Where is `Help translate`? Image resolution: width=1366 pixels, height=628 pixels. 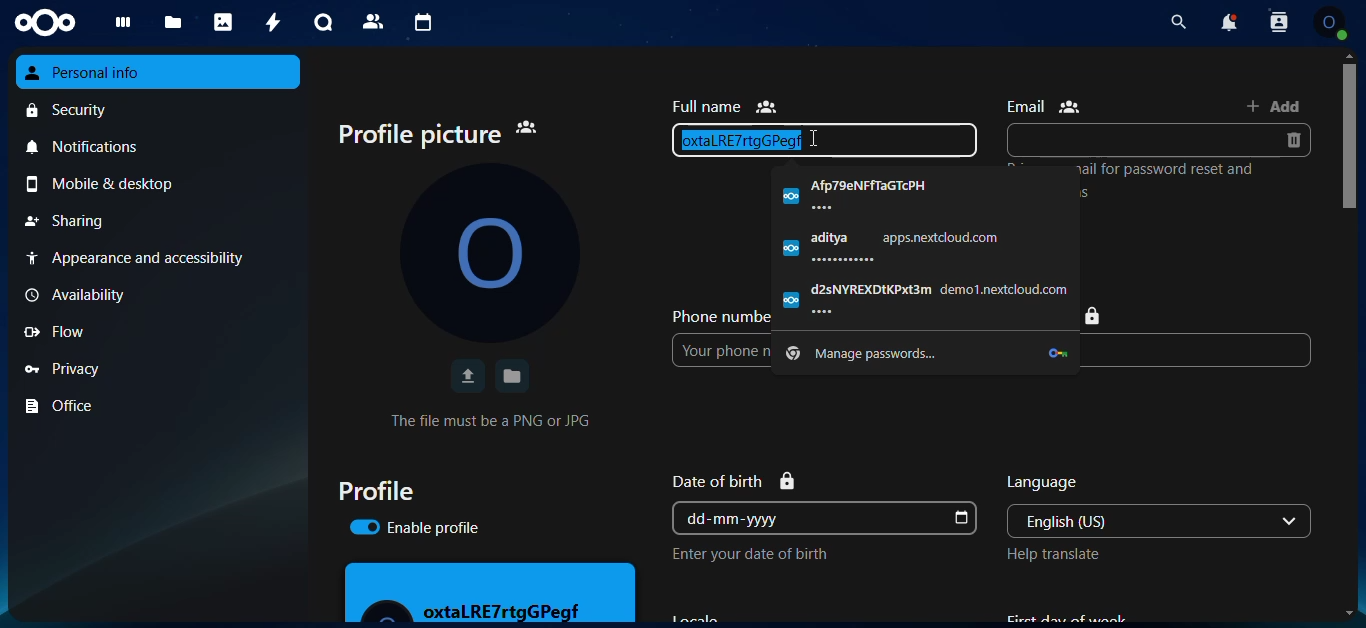 Help translate is located at coordinates (1053, 554).